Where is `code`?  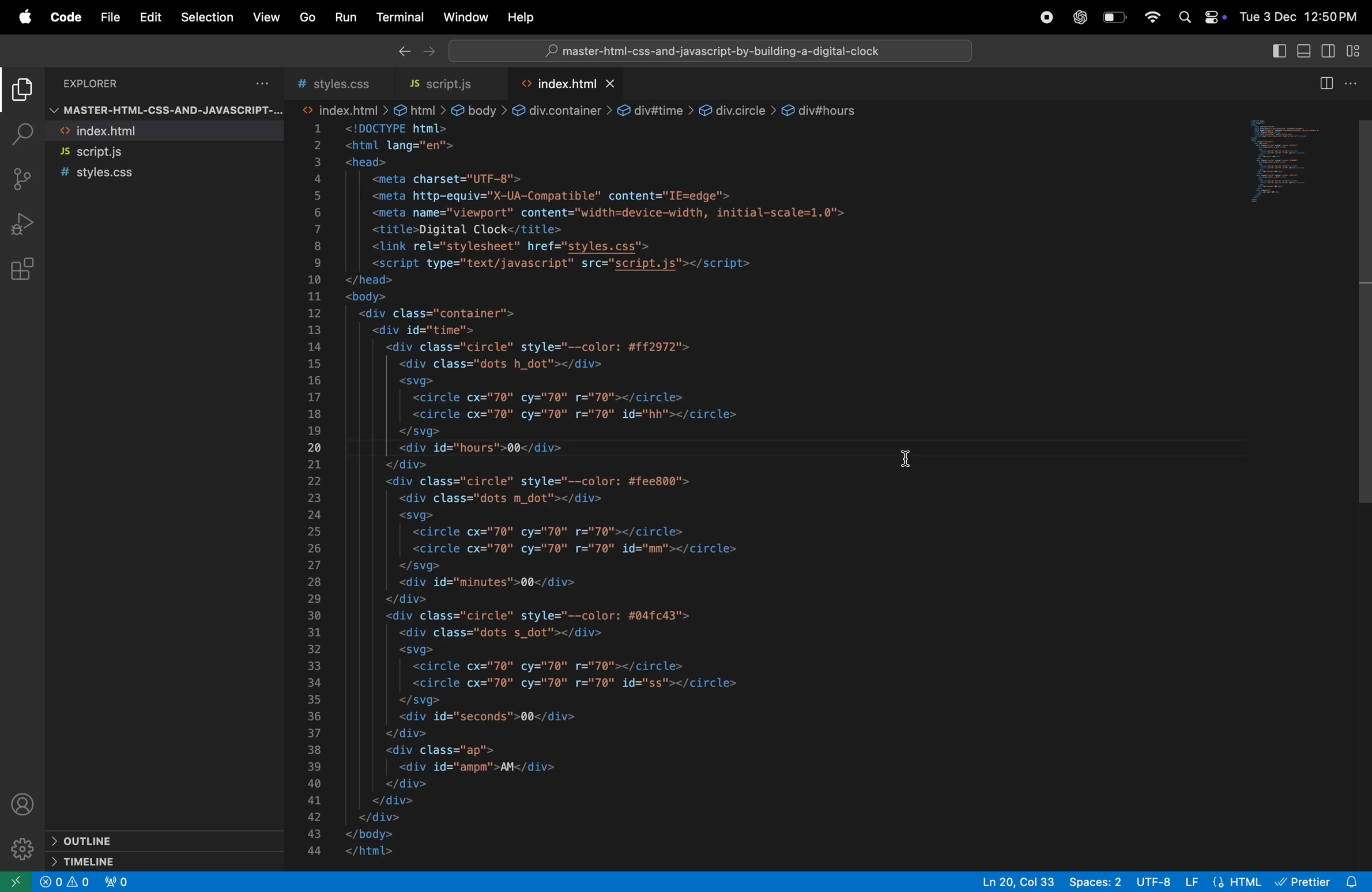 code is located at coordinates (68, 18).